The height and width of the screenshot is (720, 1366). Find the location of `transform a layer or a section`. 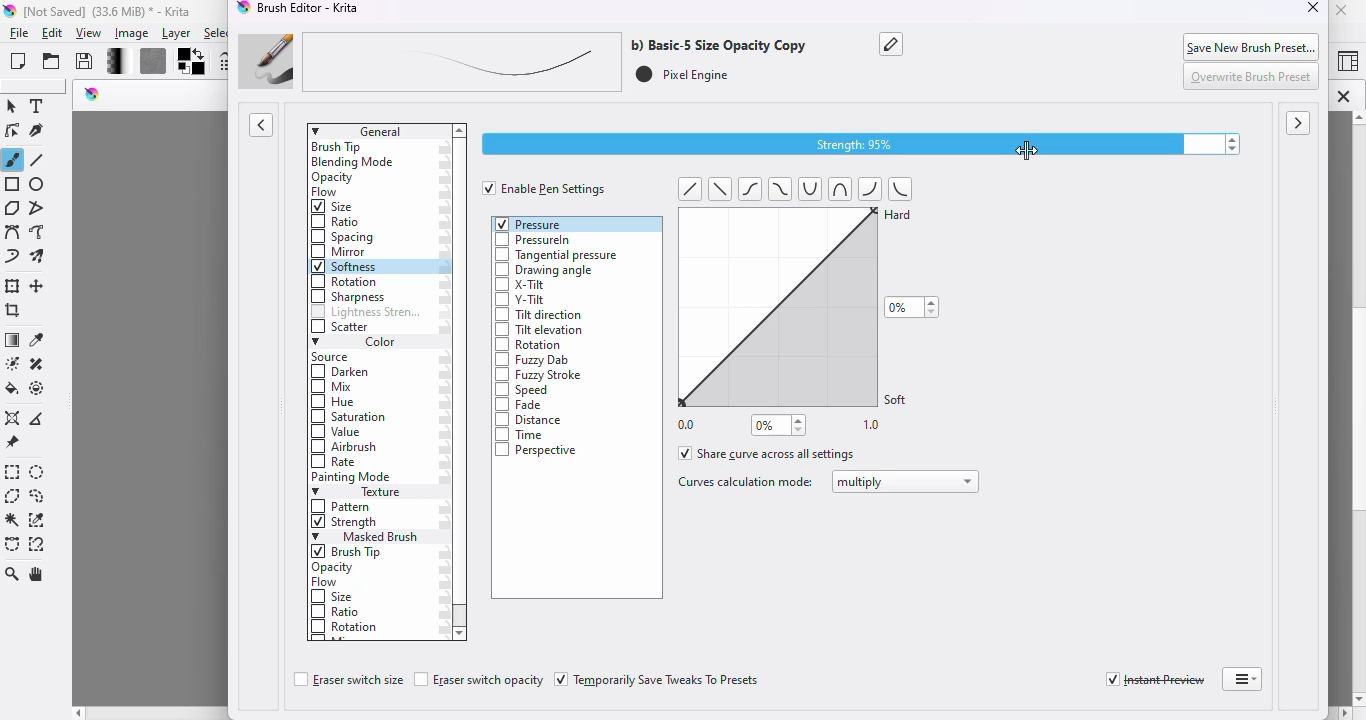

transform a layer or a section is located at coordinates (13, 286).